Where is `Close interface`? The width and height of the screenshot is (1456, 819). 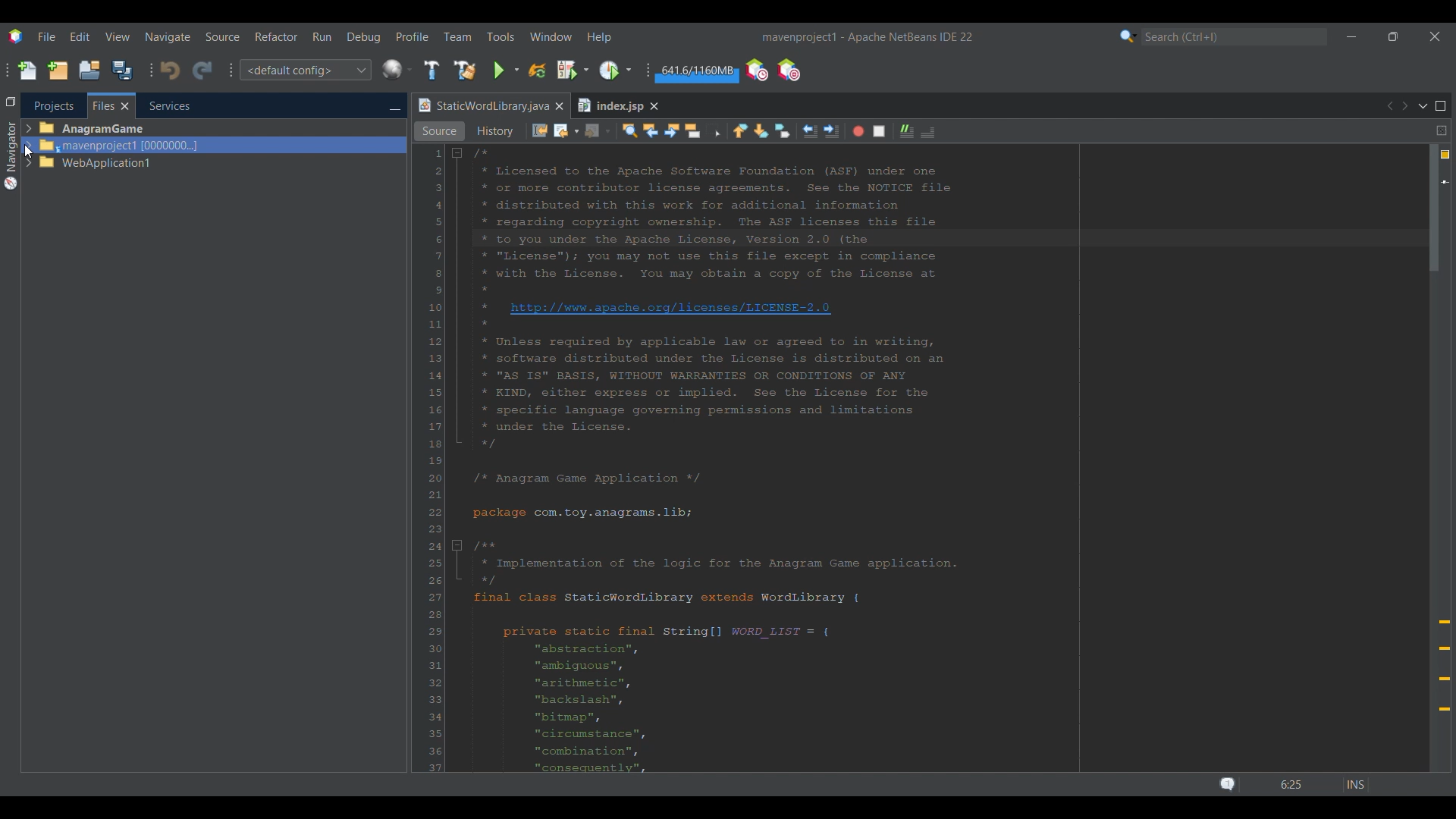
Close interface is located at coordinates (1436, 36).